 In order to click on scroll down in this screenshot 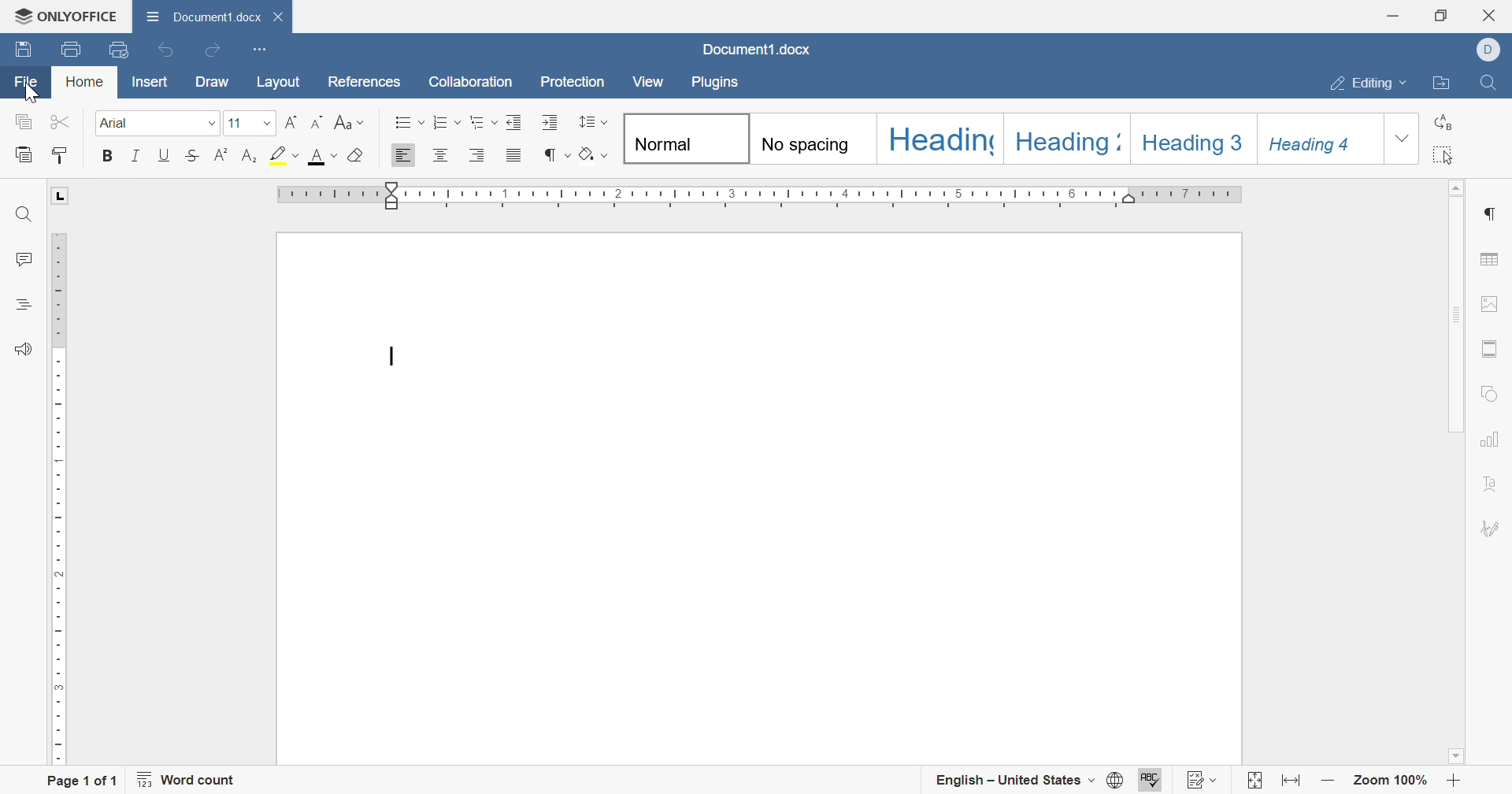, I will do `click(1461, 762)`.